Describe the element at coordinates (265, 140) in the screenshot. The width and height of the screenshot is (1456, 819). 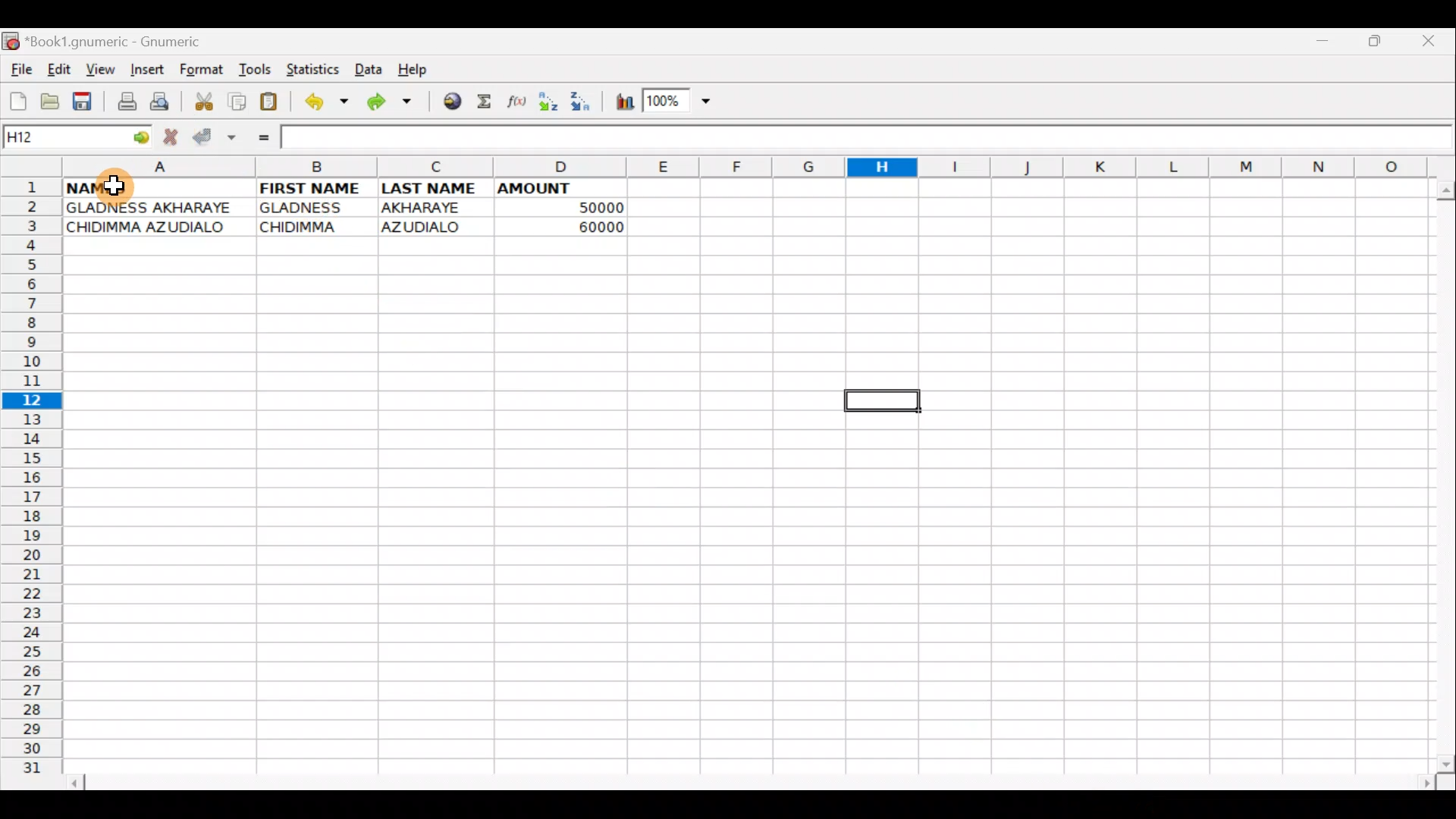
I see `Enter formula` at that location.